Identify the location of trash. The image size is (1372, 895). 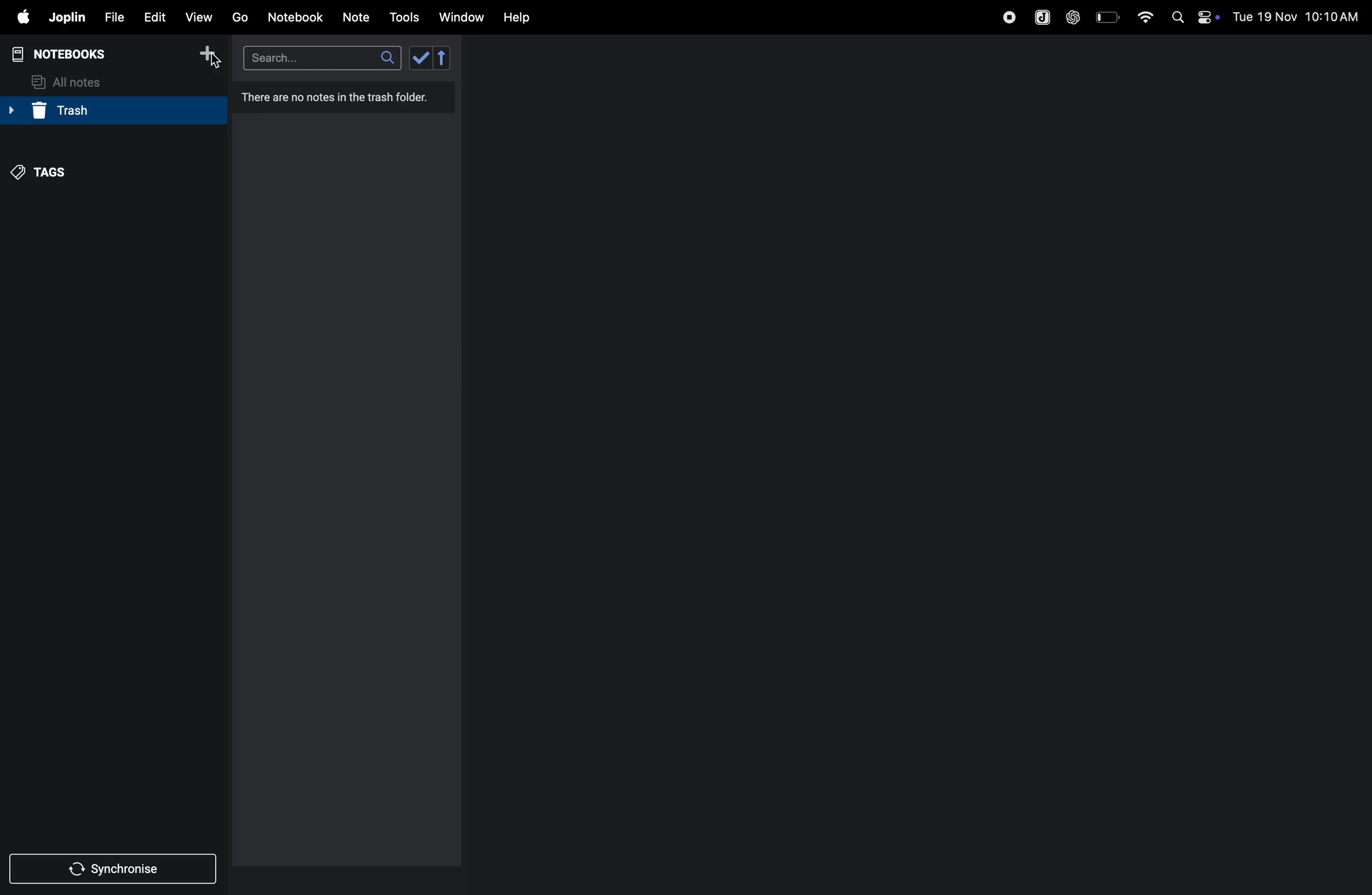
(109, 112).